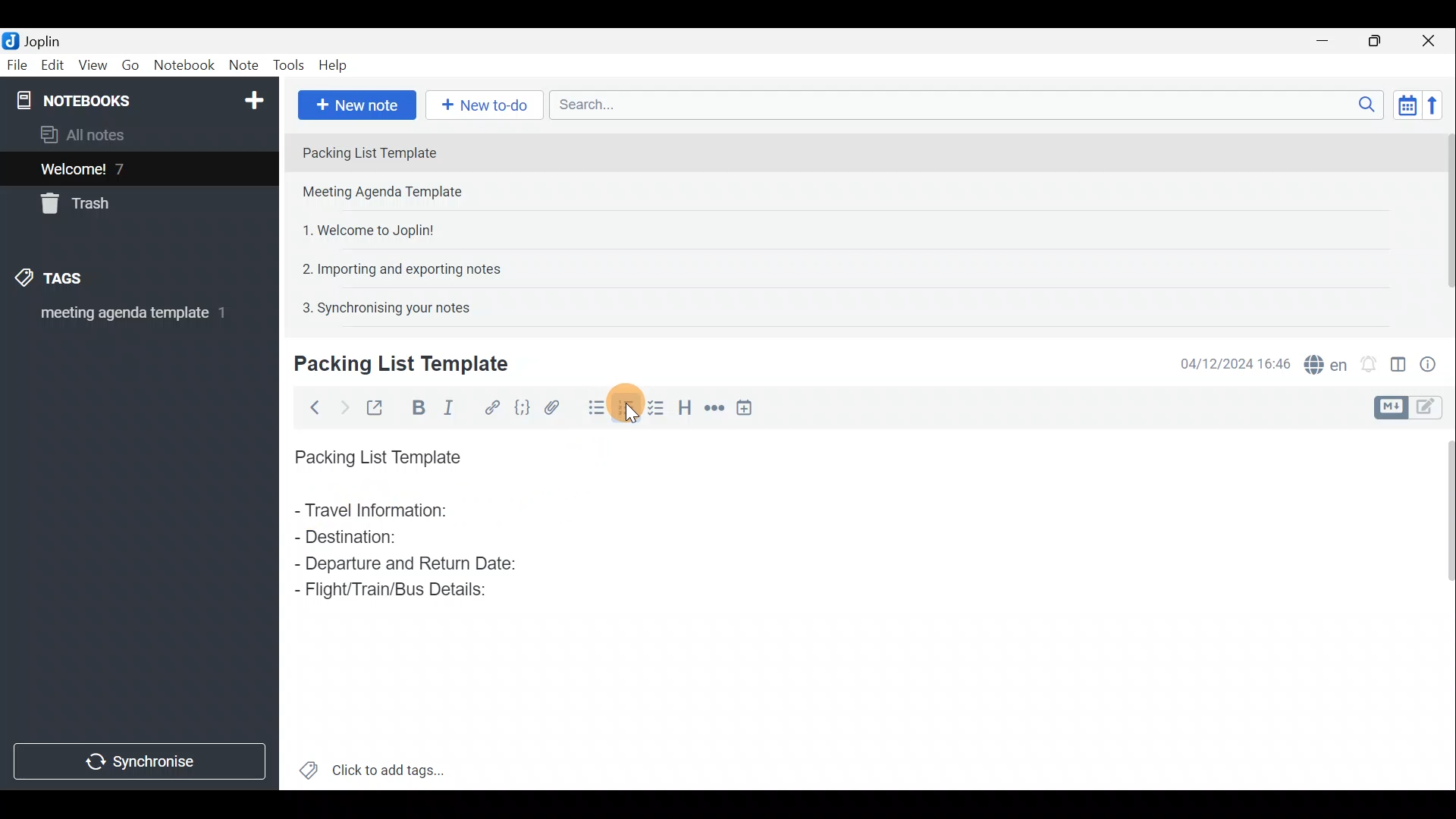  What do you see at coordinates (1402, 105) in the screenshot?
I see `Toggle sort order field` at bounding box center [1402, 105].